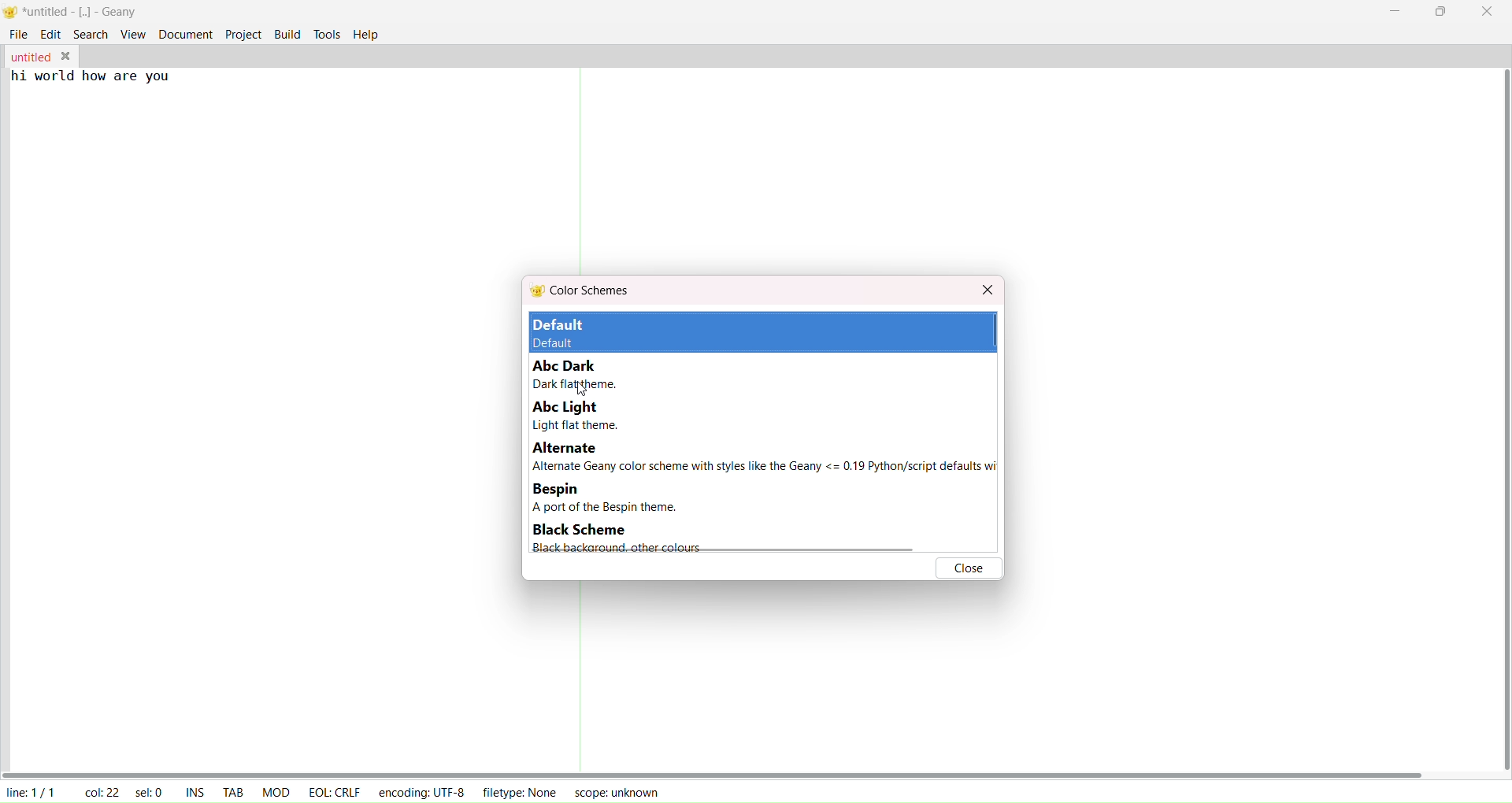  What do you see at coordinates (521, 790) in the screenshot?
I see `filetype:None` at bounding box center [521, 790].